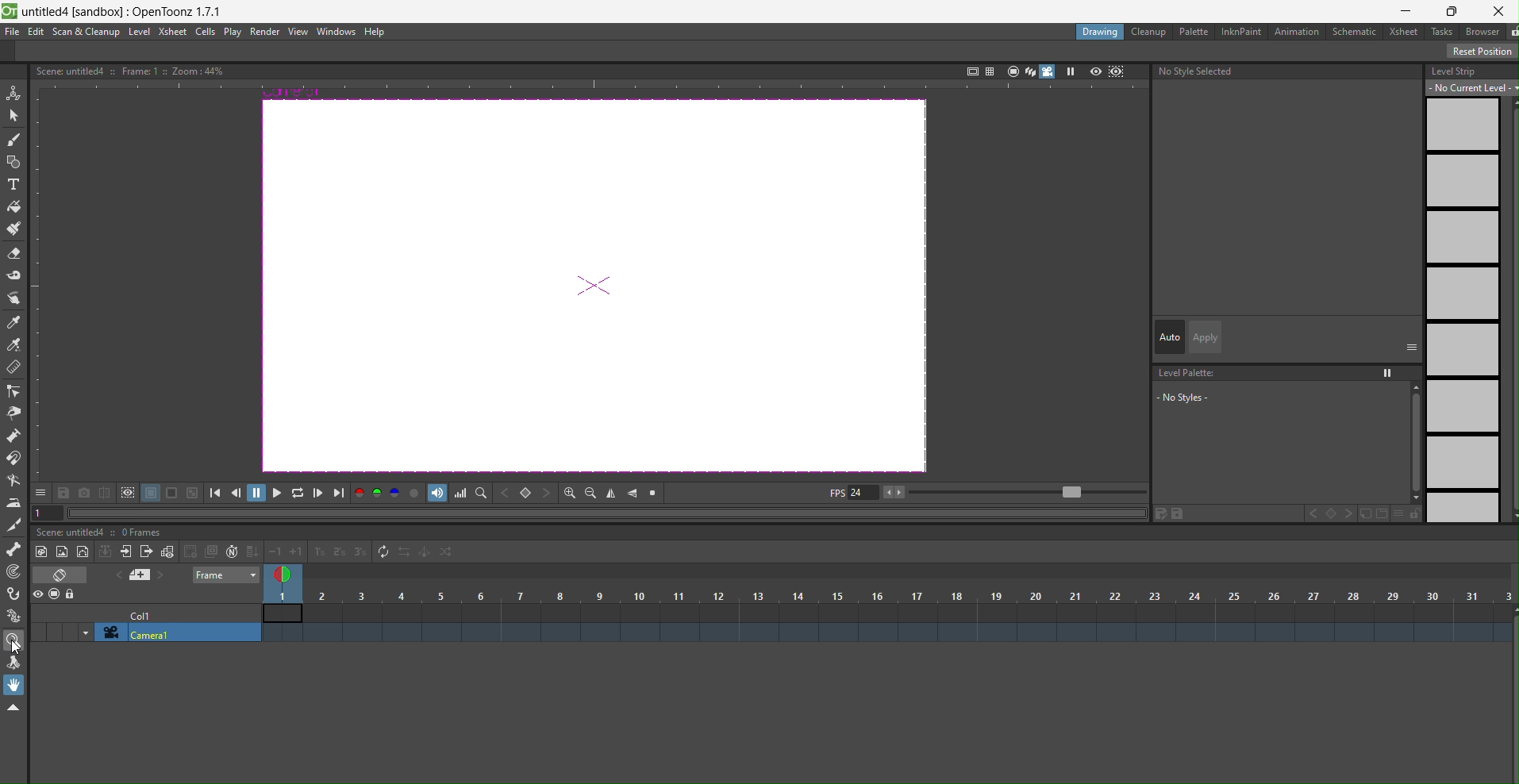 Image resolution: width=1519 pixels, height=784 pixels. I want to click on schematic, so click(1356, 31).